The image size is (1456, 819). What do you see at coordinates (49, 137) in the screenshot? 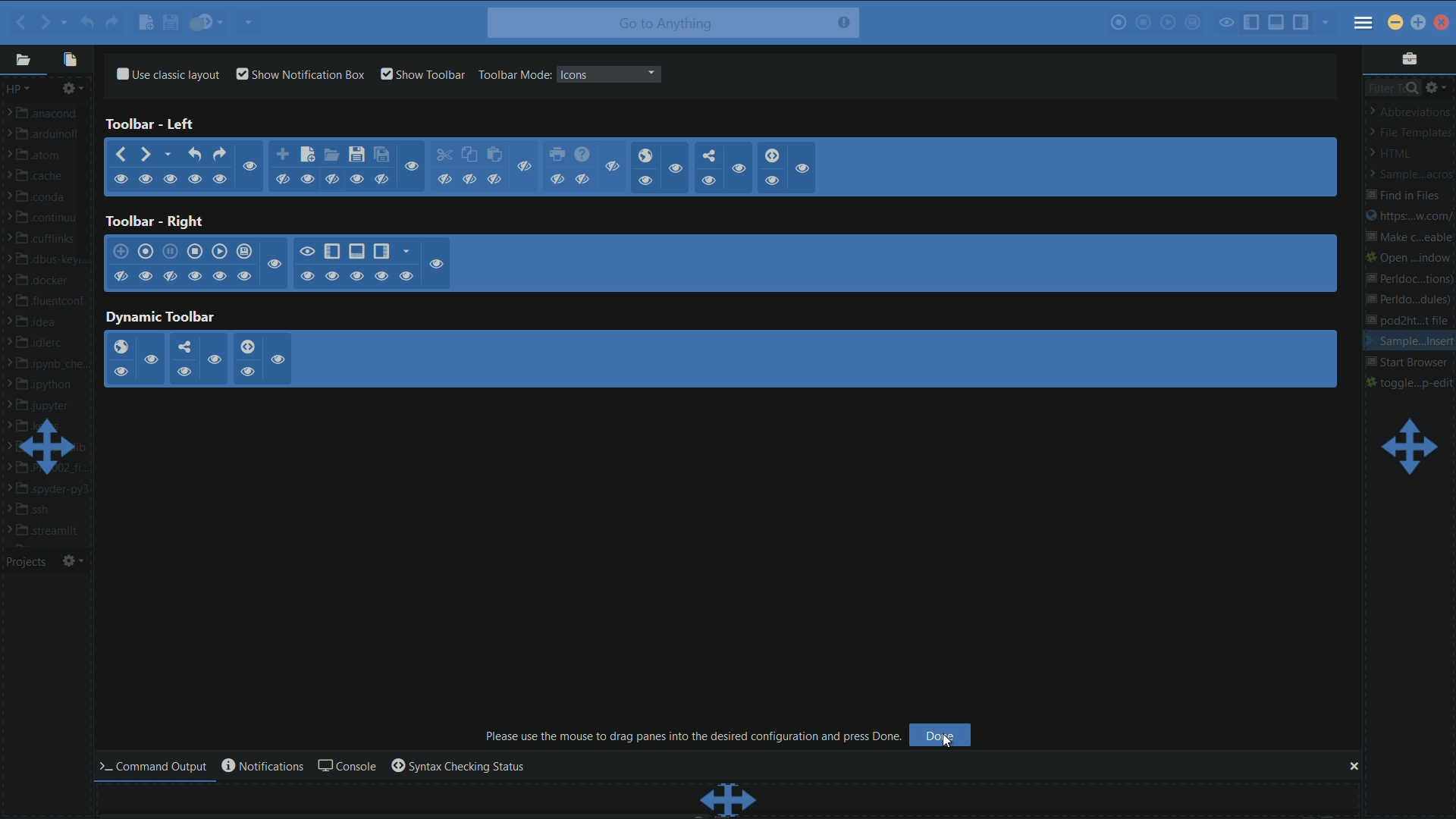
I see `.arduinoll` at bounding box center [49, 137].